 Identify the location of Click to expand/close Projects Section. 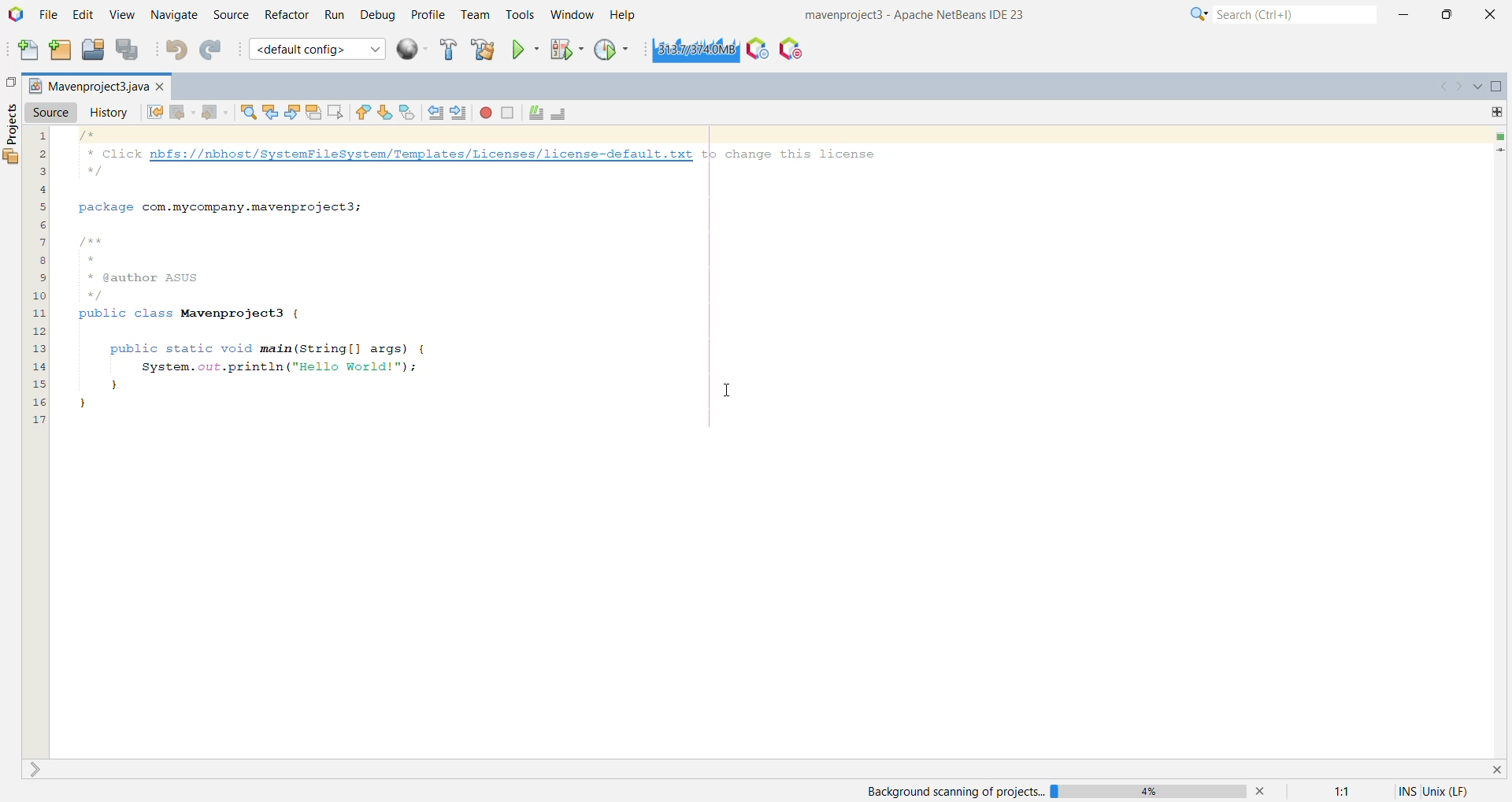
(13, 131).